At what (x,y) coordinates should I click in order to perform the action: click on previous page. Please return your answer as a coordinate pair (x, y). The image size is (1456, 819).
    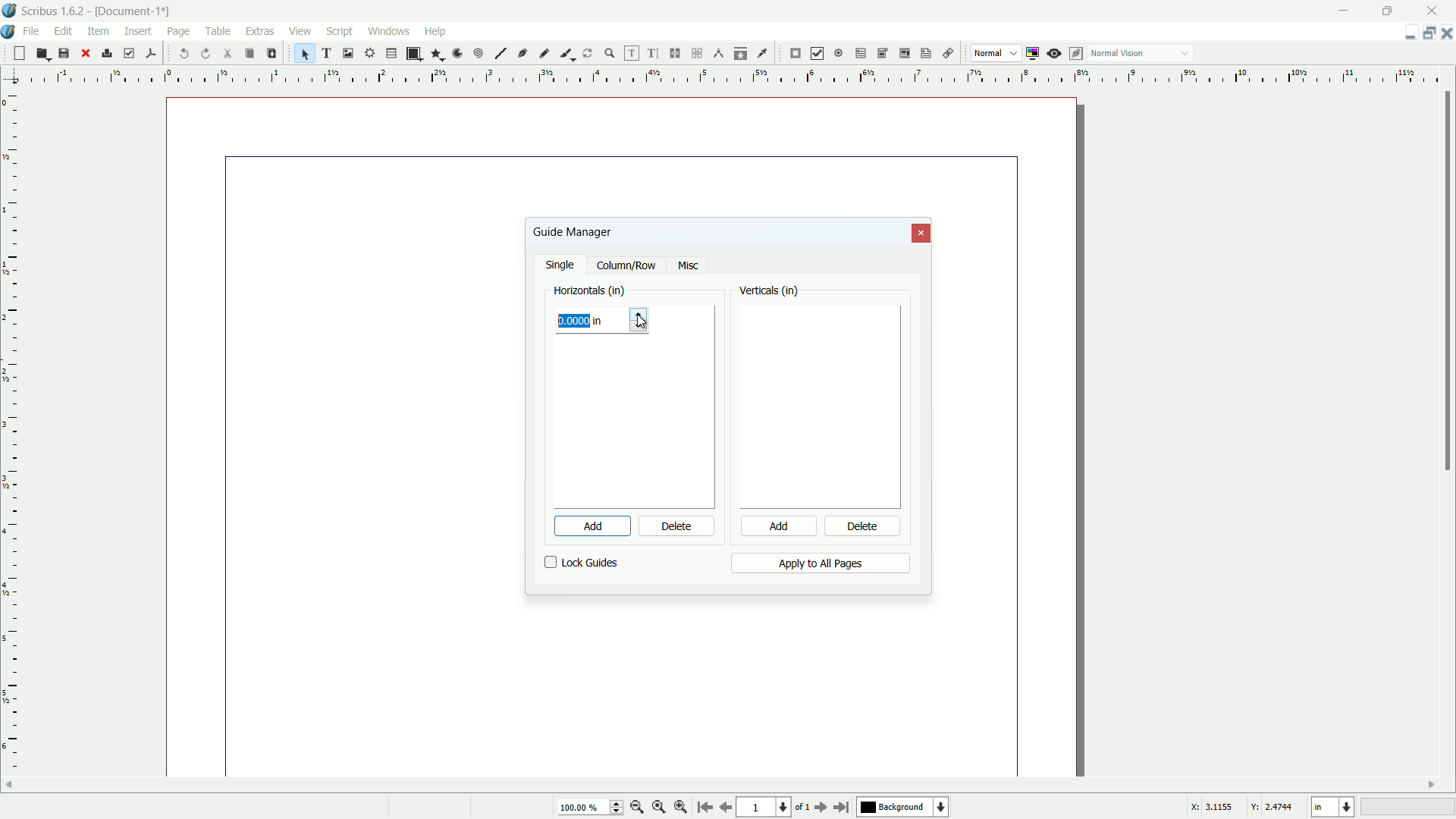
    Looking at the image, I should click on (725, 808).